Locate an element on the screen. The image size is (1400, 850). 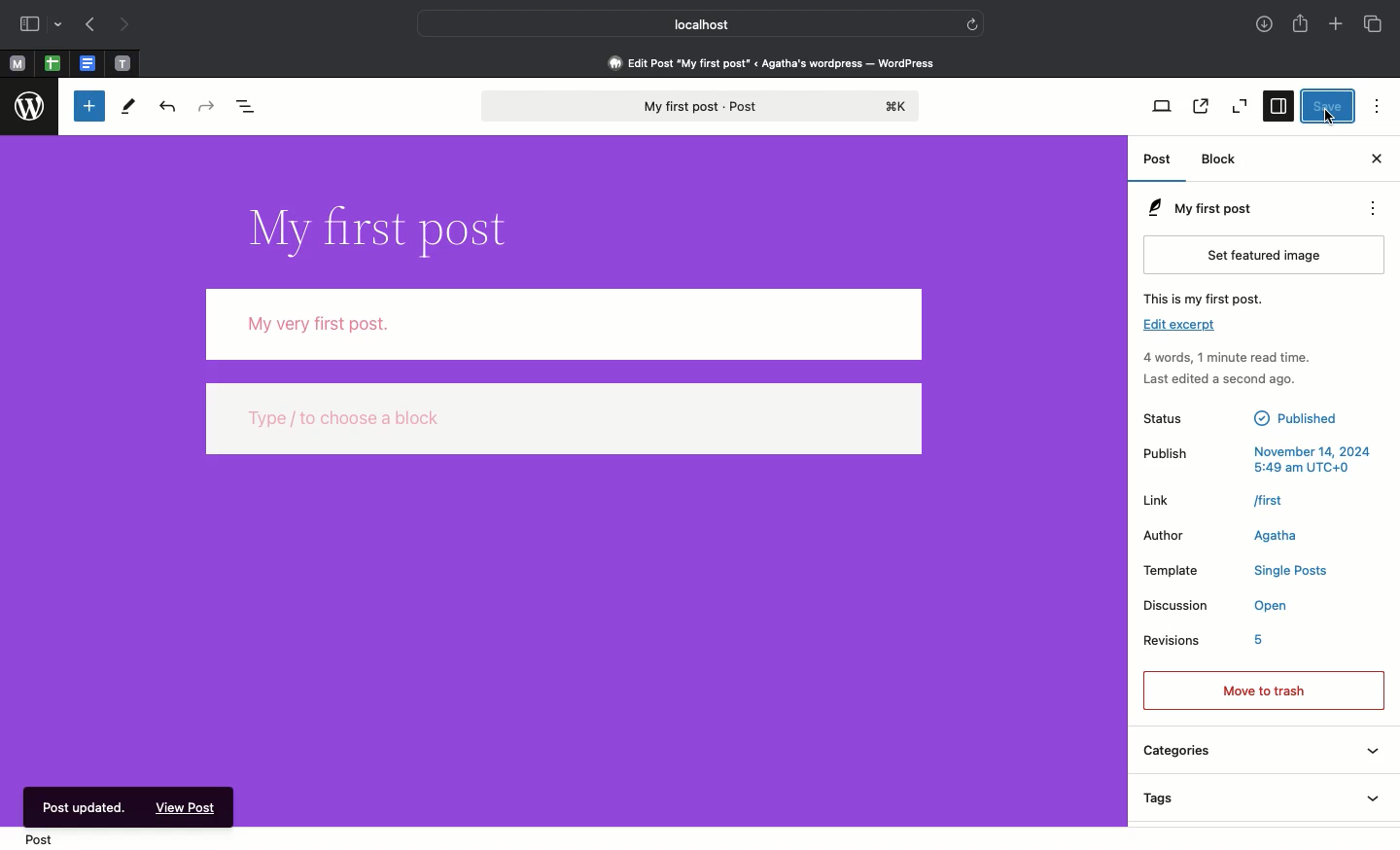
text tab is located at coordinates (122, 59).